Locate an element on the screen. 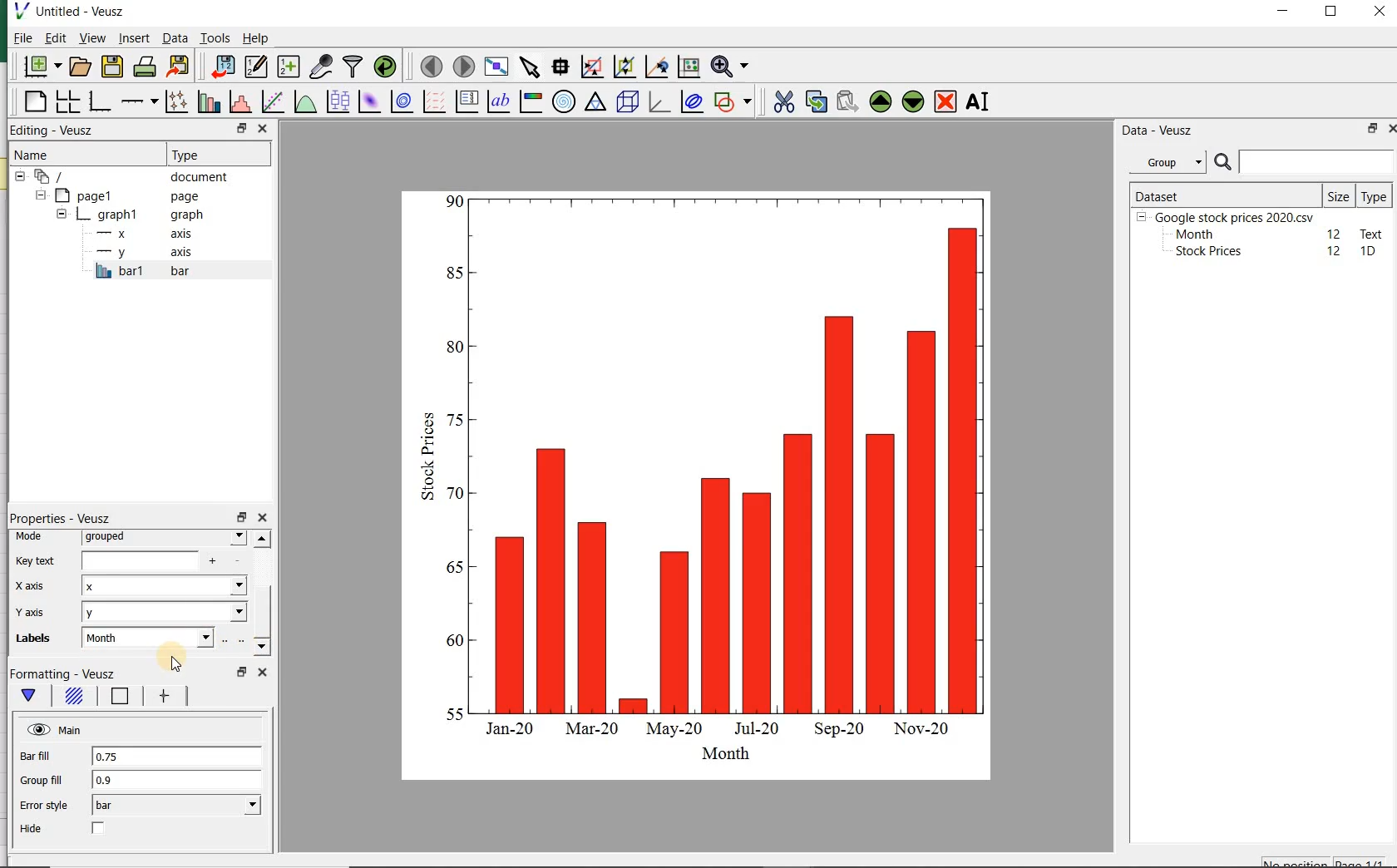 The height and width of the screenshot is (868, 1397). click to reset graph axes is located at coordinates (687, 67).